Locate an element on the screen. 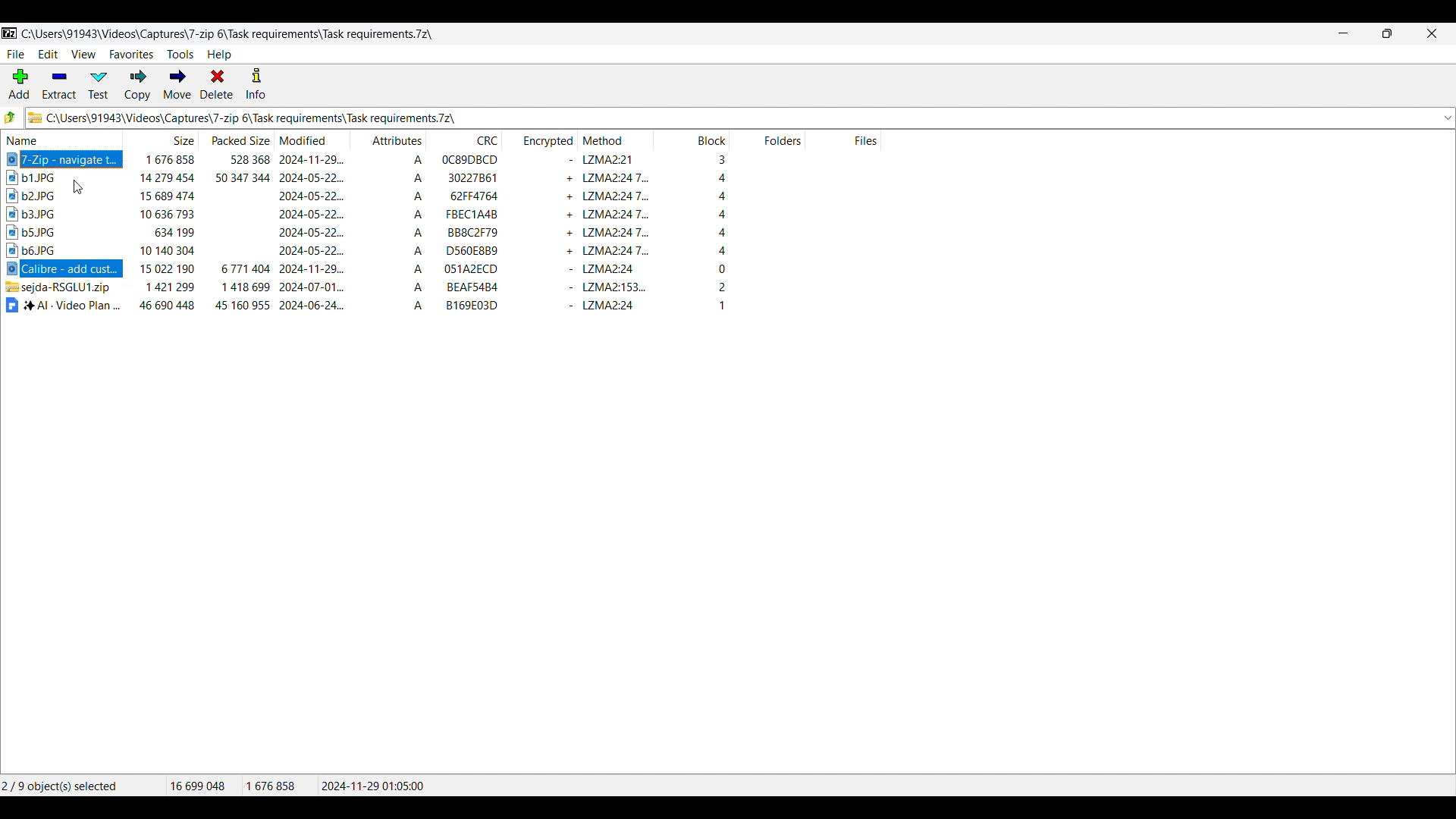 Image resolution: width=1456 pixels, height=819 pixels. Software logo is located at coordinates (10, 33).